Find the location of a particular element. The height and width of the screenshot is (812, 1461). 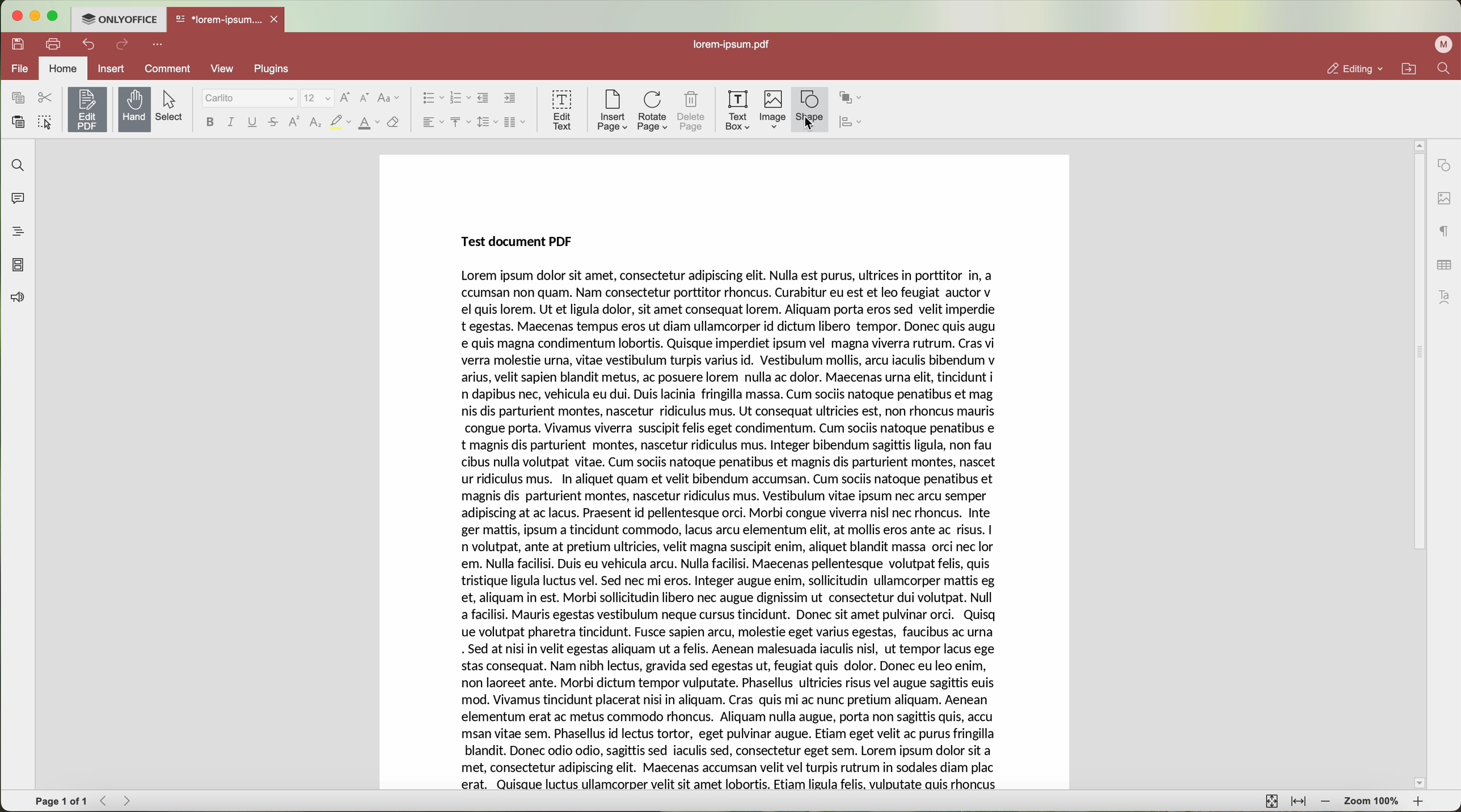

view is located at coordinates (222, 67).